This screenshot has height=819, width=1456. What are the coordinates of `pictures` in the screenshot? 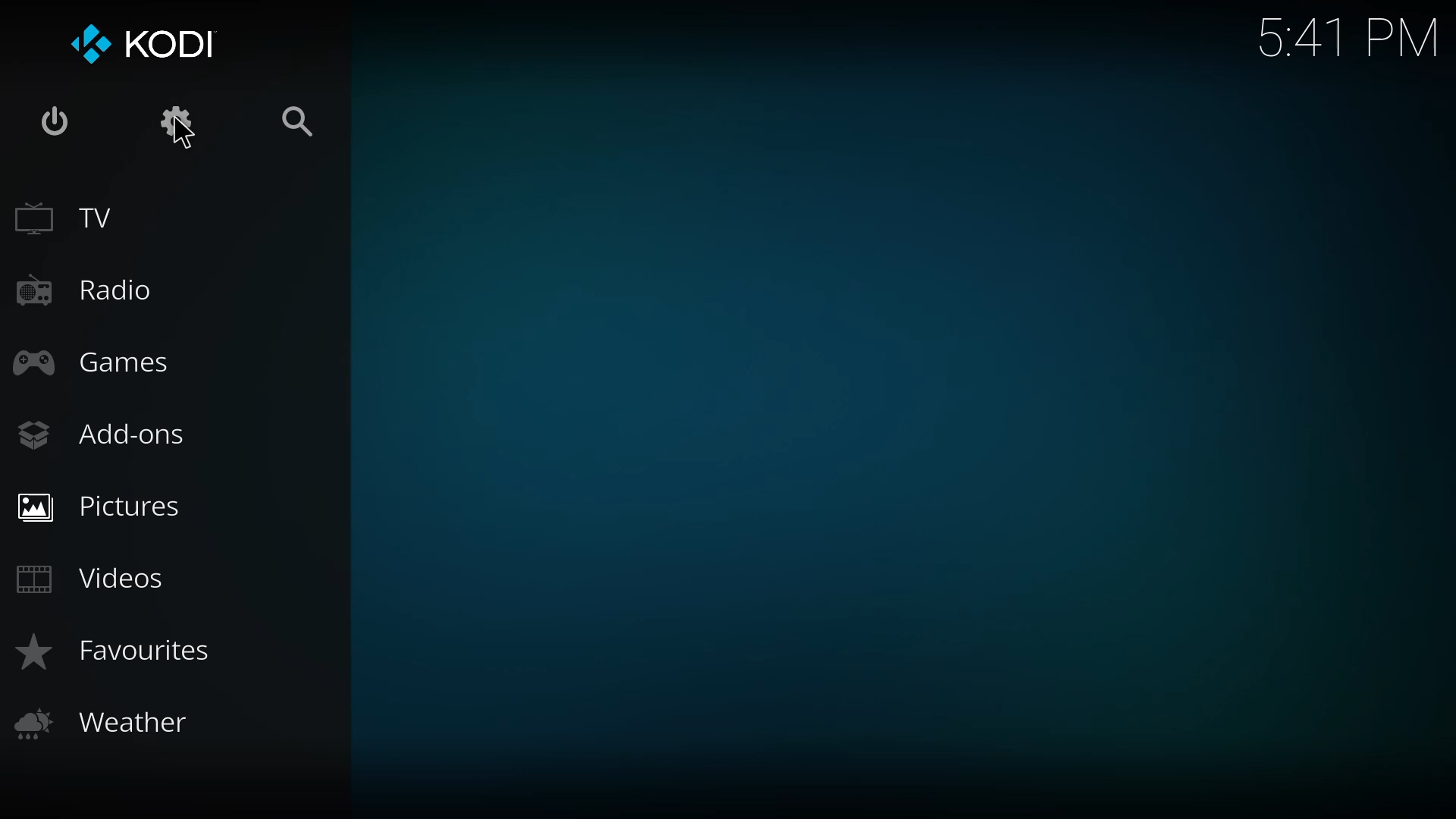 It's located at (106, 504).